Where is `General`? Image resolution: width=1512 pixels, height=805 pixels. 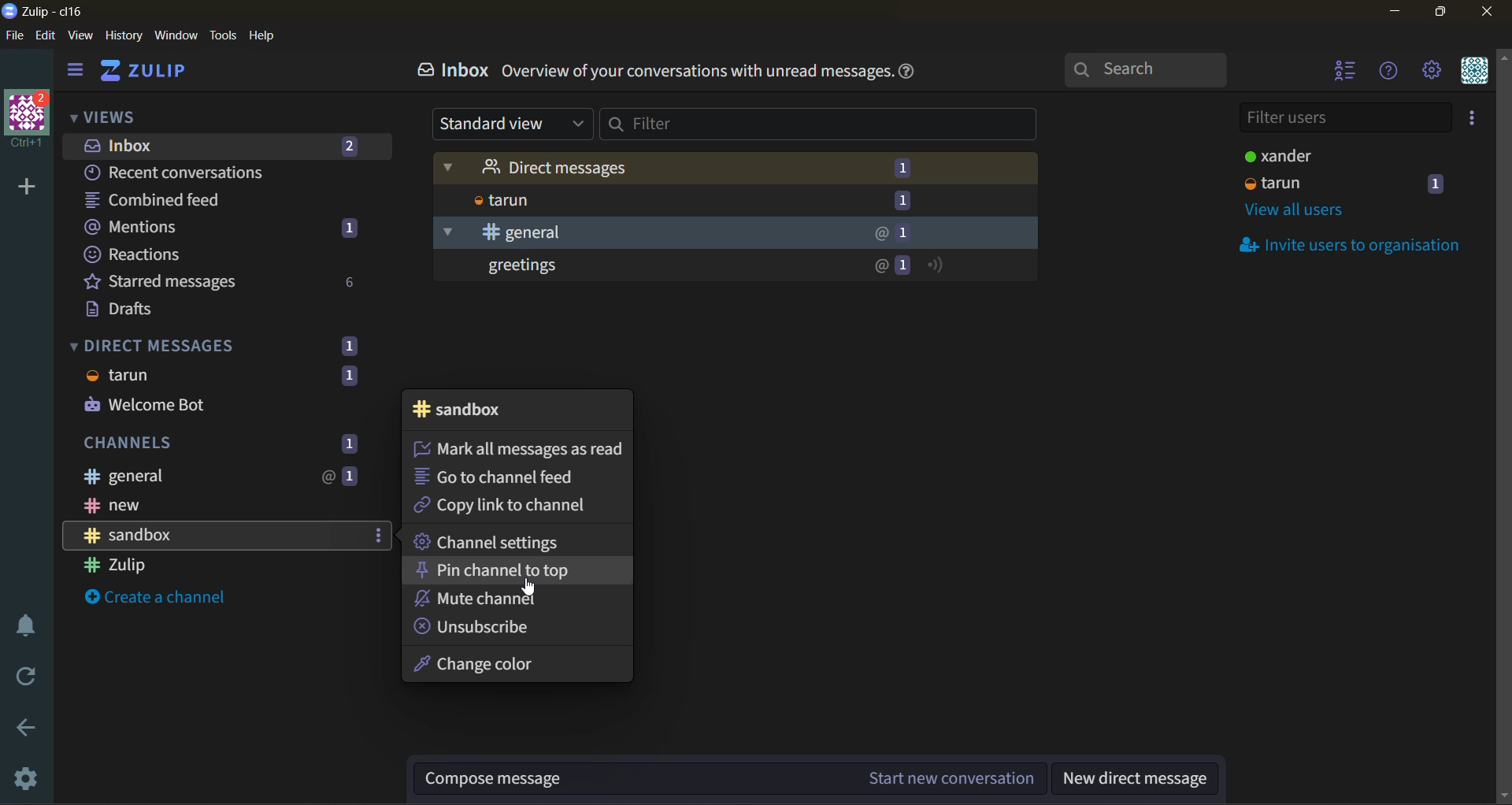
General is located at coordinates (732, 233).